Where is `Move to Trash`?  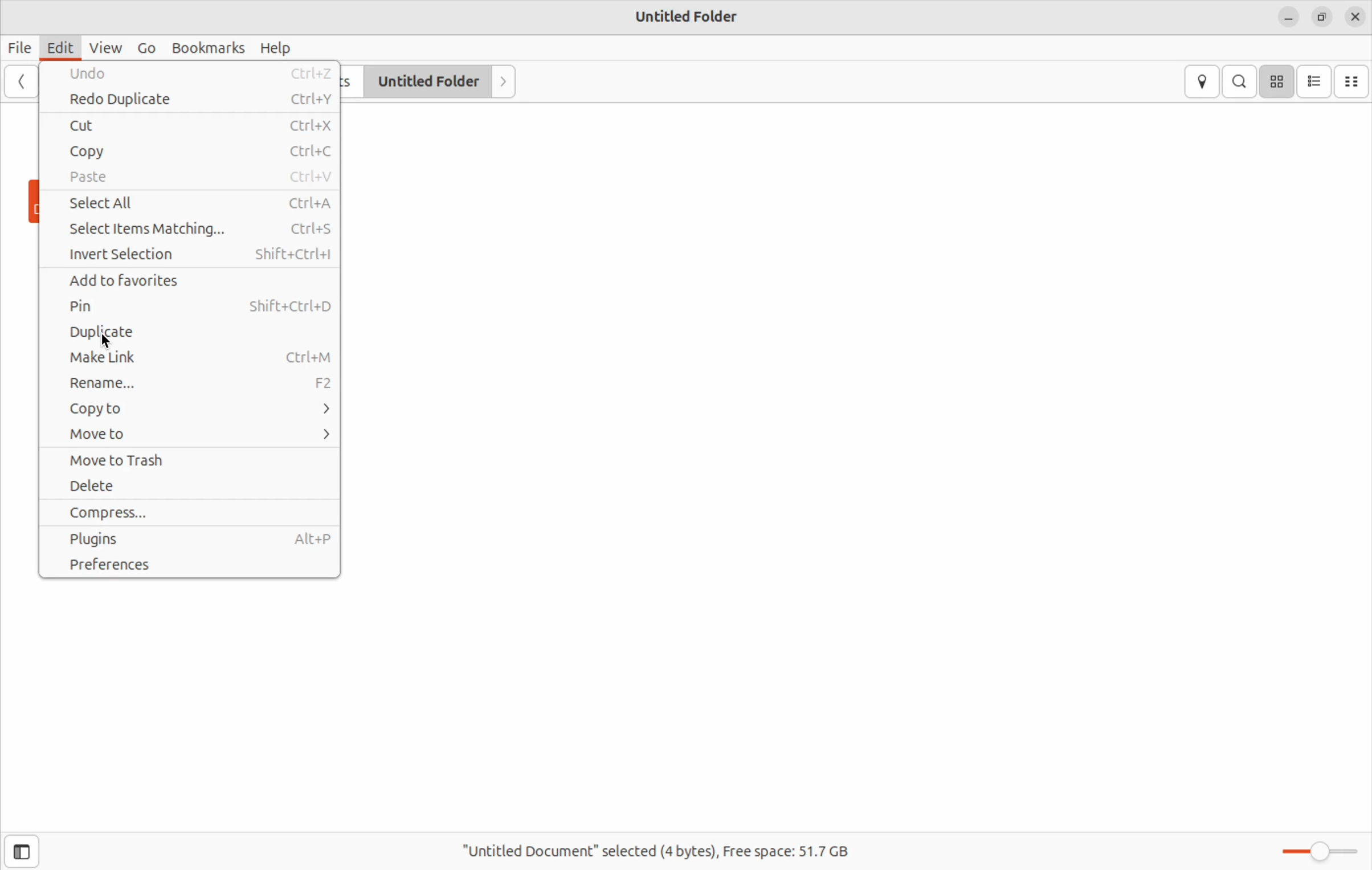 Move to Trash is located at coordinates (188, 461).